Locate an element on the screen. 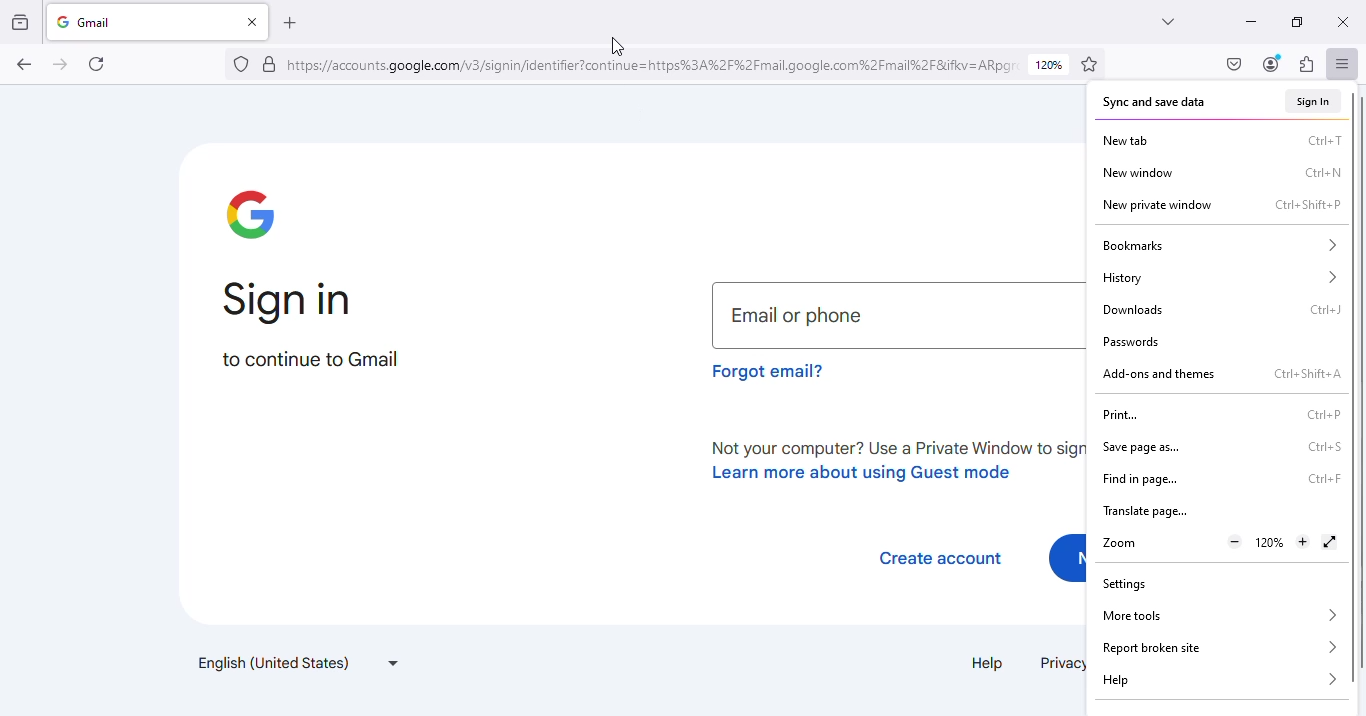 The width and height of the screenshot is (1366, 716). downloads is located at coordinates (1131, 310).